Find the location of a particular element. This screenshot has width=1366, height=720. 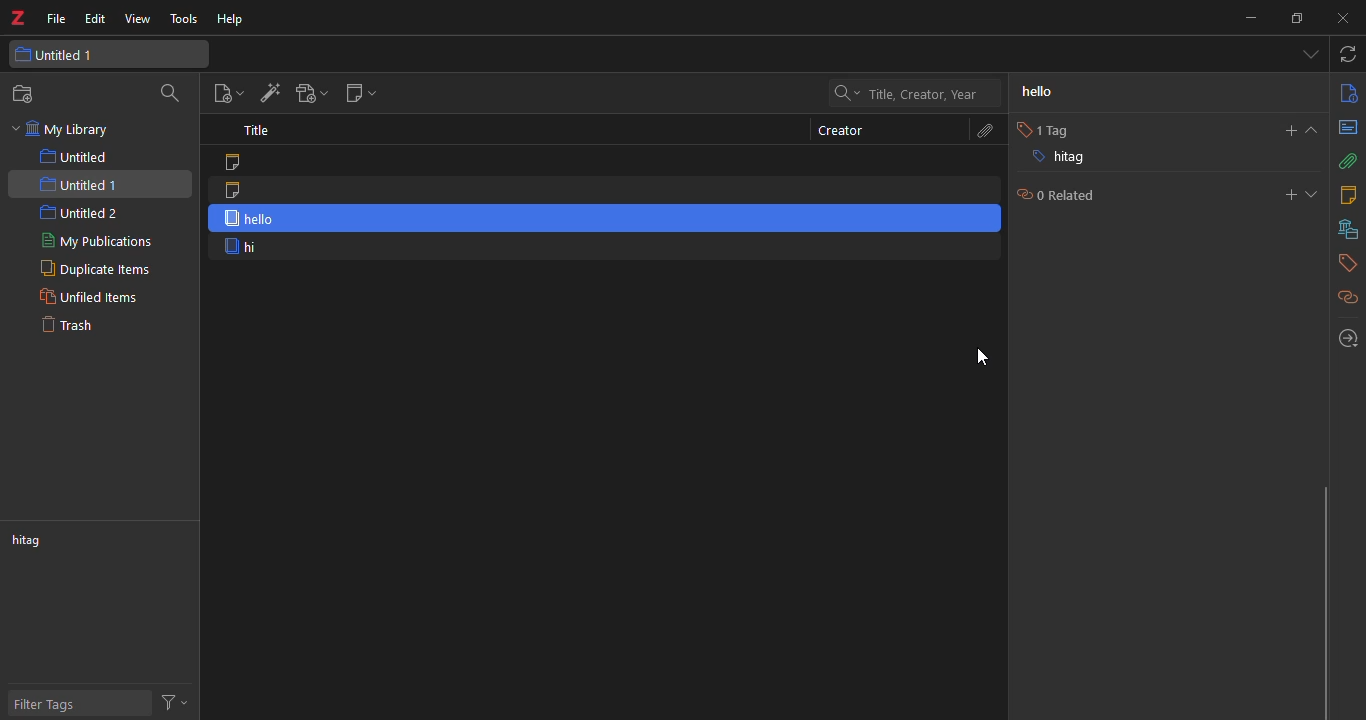

help is located at coordinates (234, 19).